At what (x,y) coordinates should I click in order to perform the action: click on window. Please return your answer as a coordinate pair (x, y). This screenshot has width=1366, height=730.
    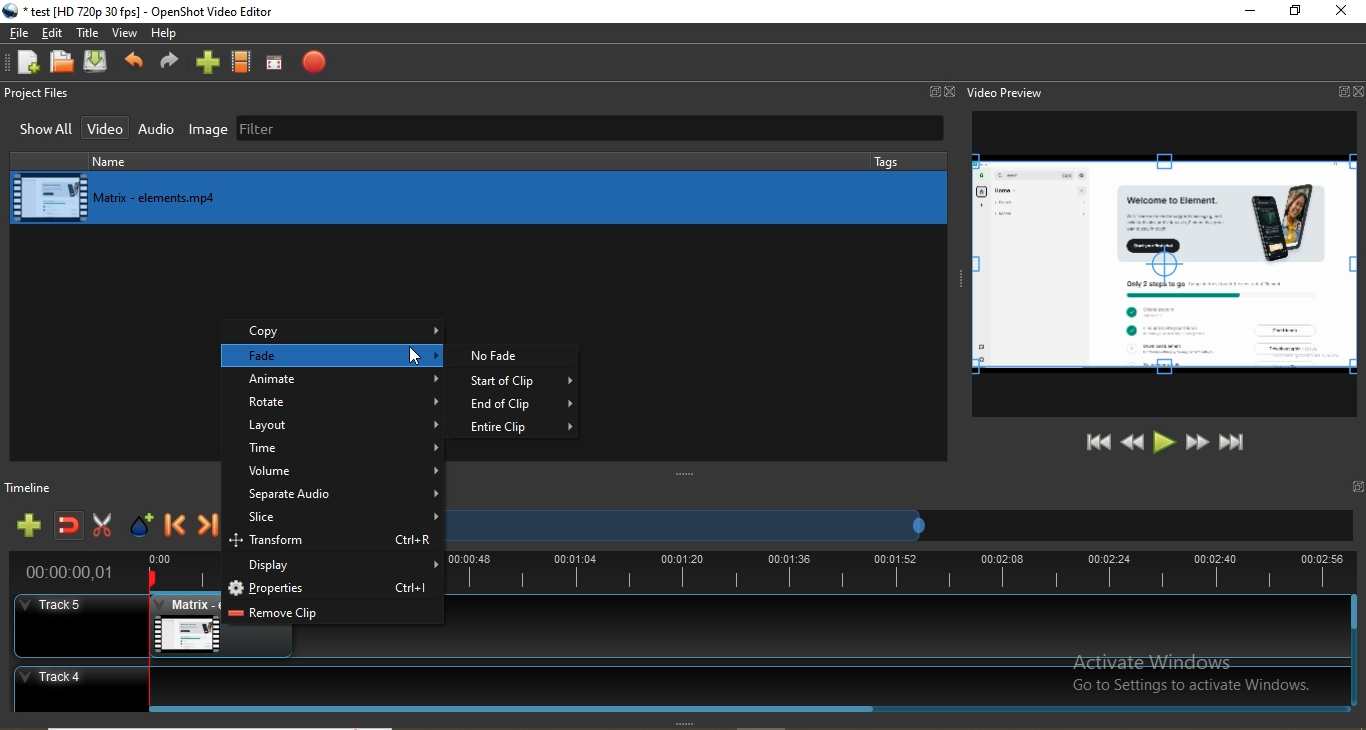
    Looking at the image, I should click on (1357, 487).